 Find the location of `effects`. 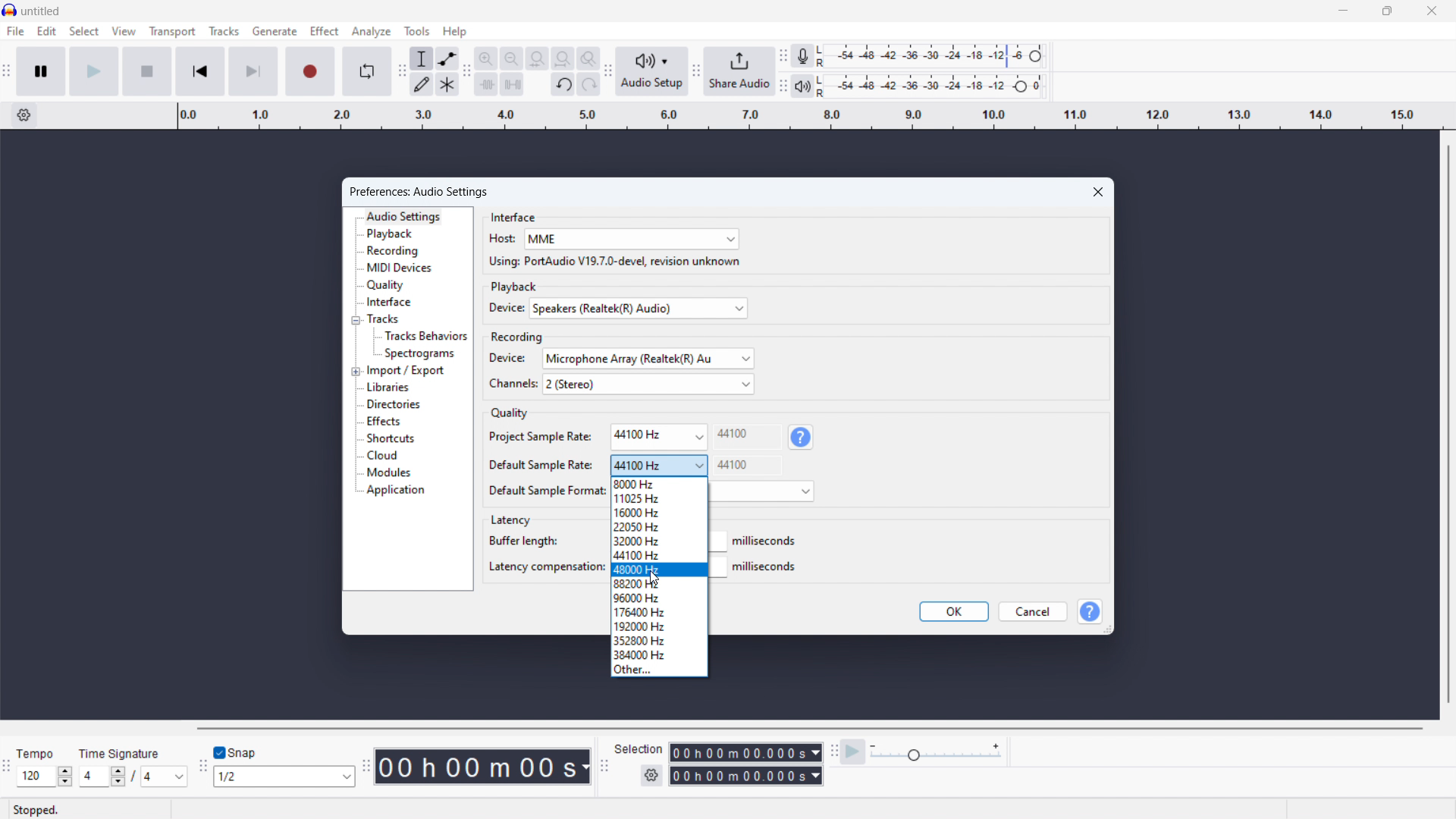

effects is located at coordinates (383, 422).